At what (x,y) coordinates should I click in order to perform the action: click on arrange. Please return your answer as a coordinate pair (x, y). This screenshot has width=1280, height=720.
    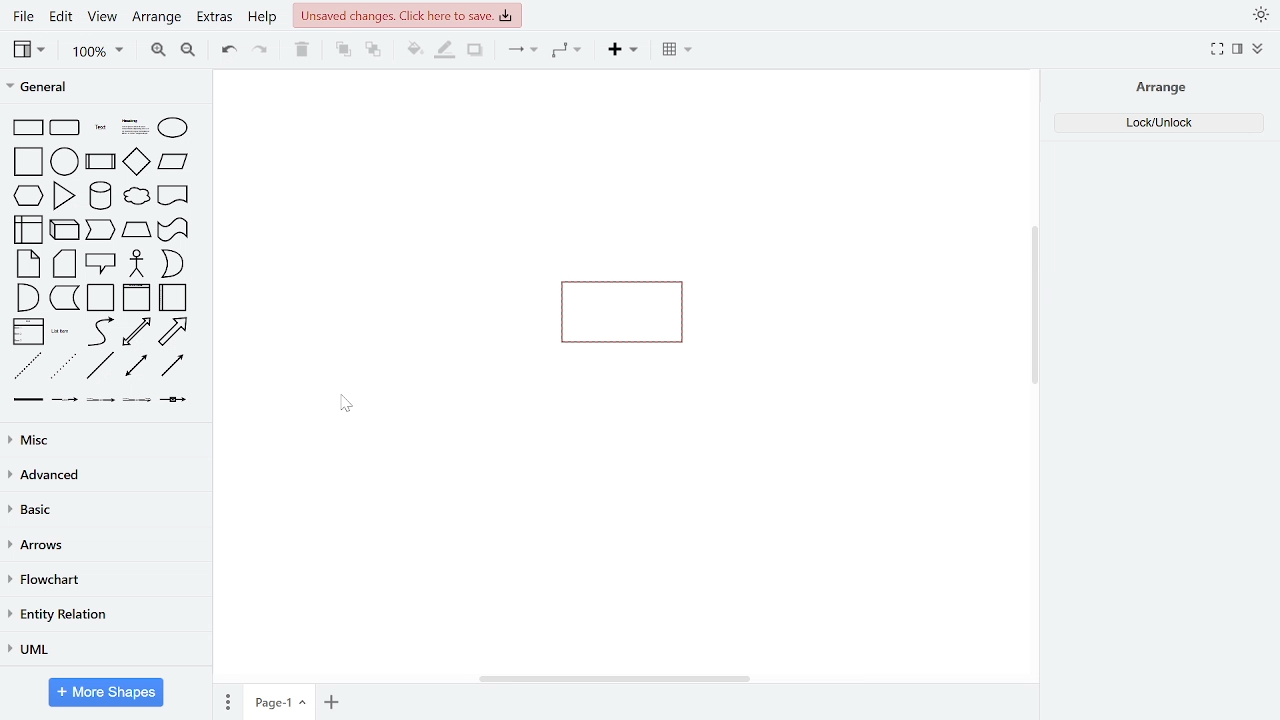
    Looking at the image, I should click on (157, 18).